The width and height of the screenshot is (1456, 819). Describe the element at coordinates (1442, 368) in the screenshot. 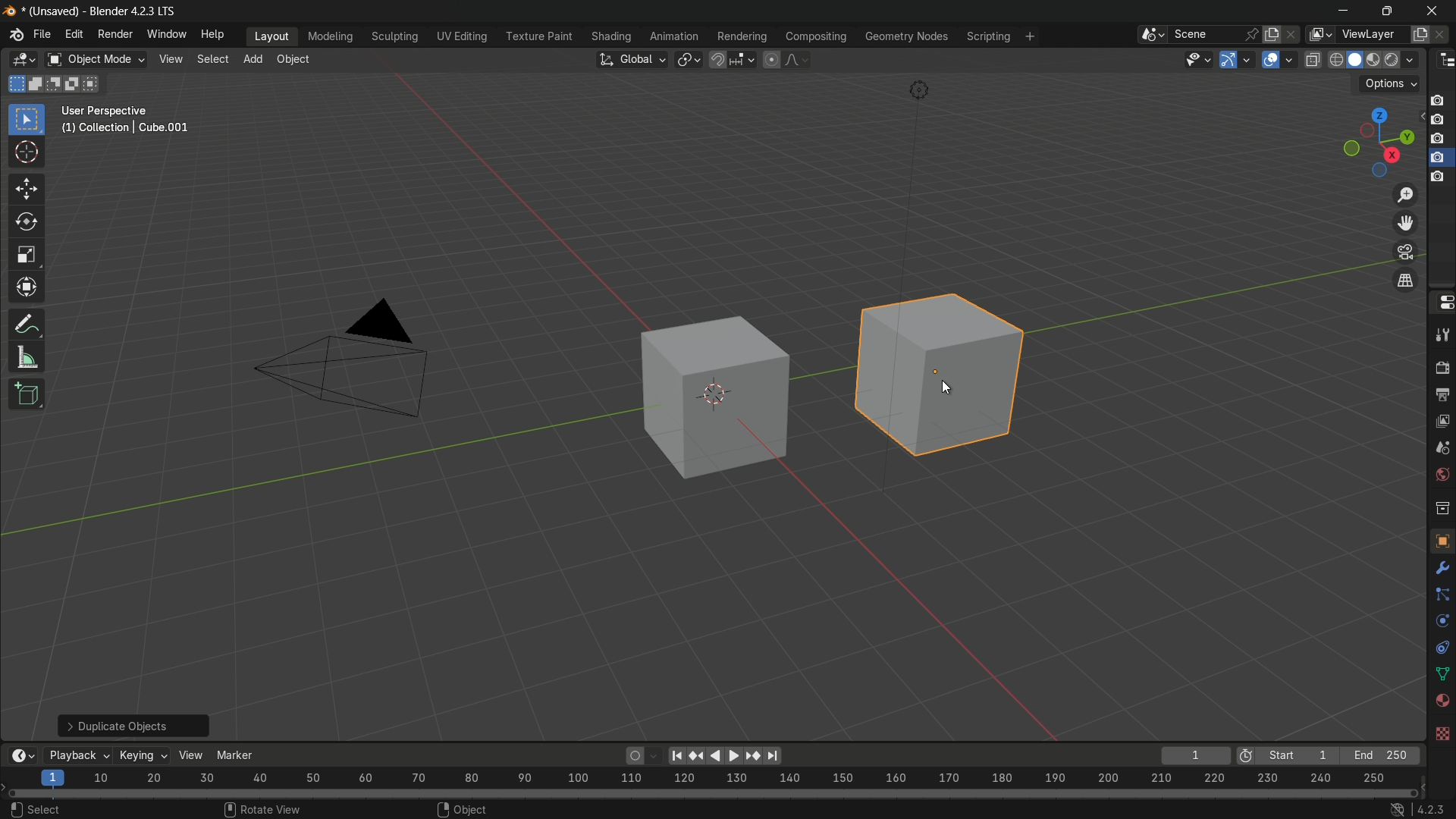

I see `render` at that location.